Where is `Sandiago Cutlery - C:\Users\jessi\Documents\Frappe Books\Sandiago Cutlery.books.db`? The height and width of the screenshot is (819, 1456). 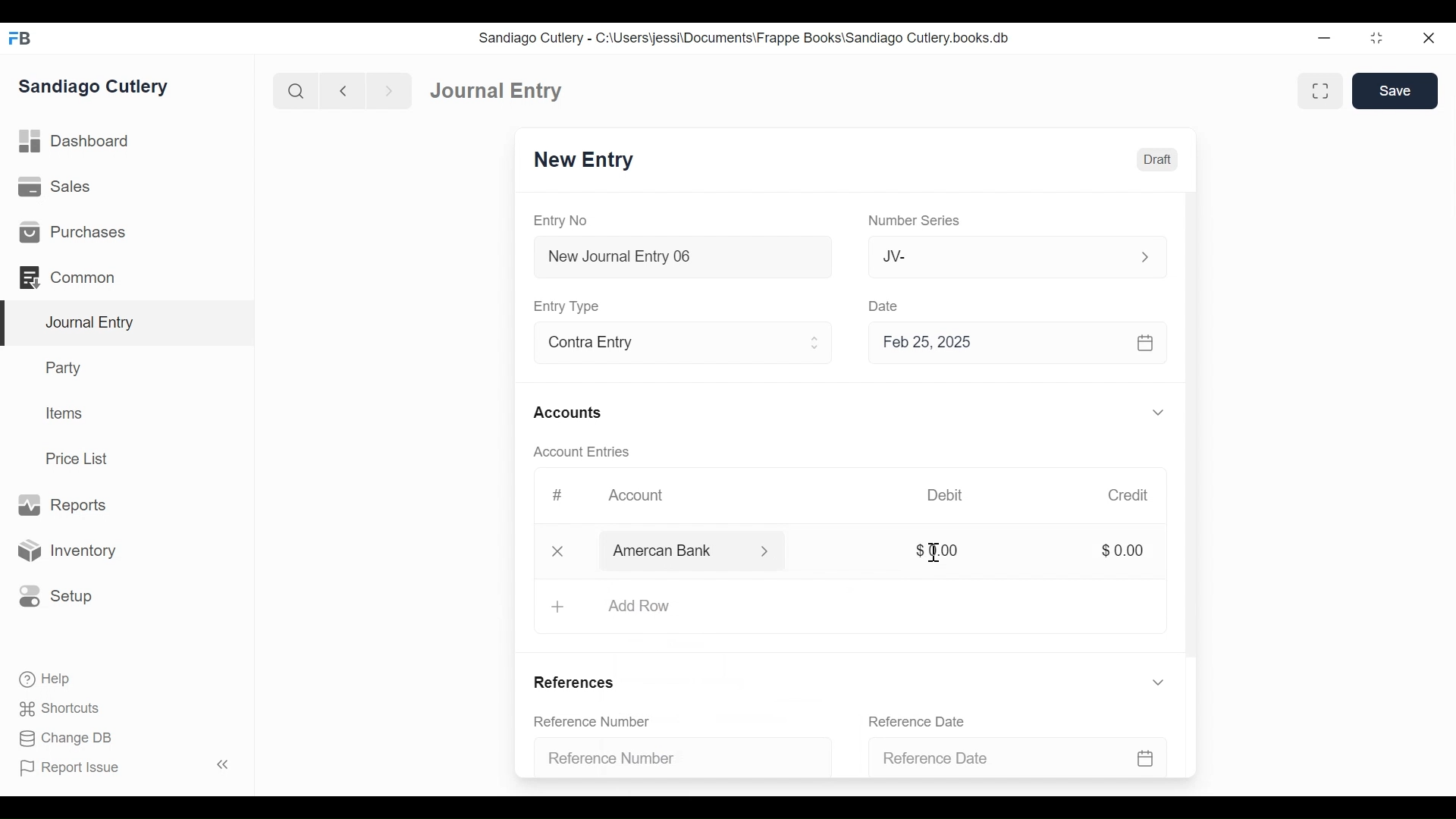
Sandiago Cutlery - C:\Users\jessi\Documents\Frappe Books\Sandiago Cutlery.books.db is located at coordinates (745, 38).